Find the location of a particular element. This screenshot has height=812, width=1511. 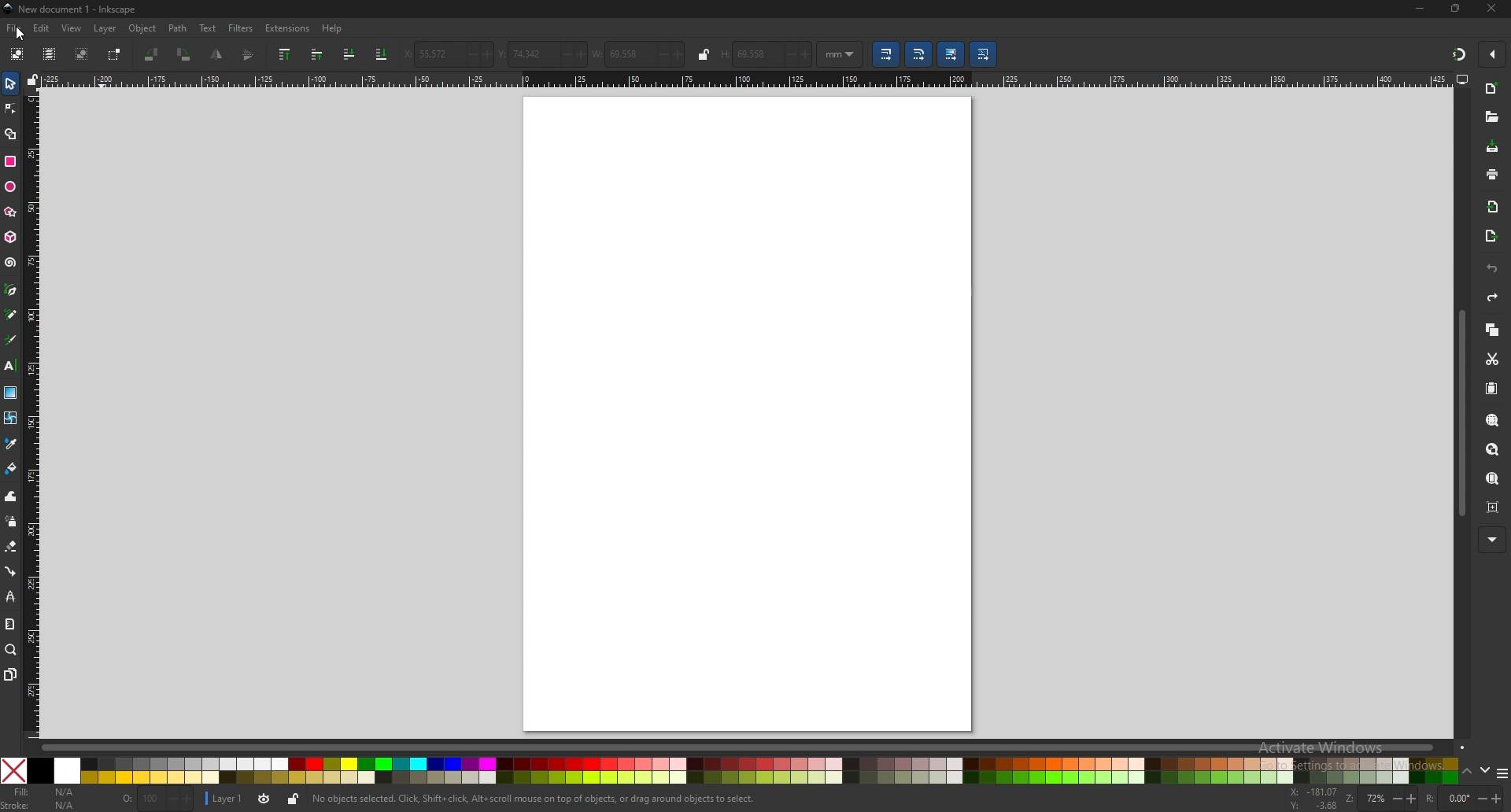

down is located at coordinates (1484, 771).